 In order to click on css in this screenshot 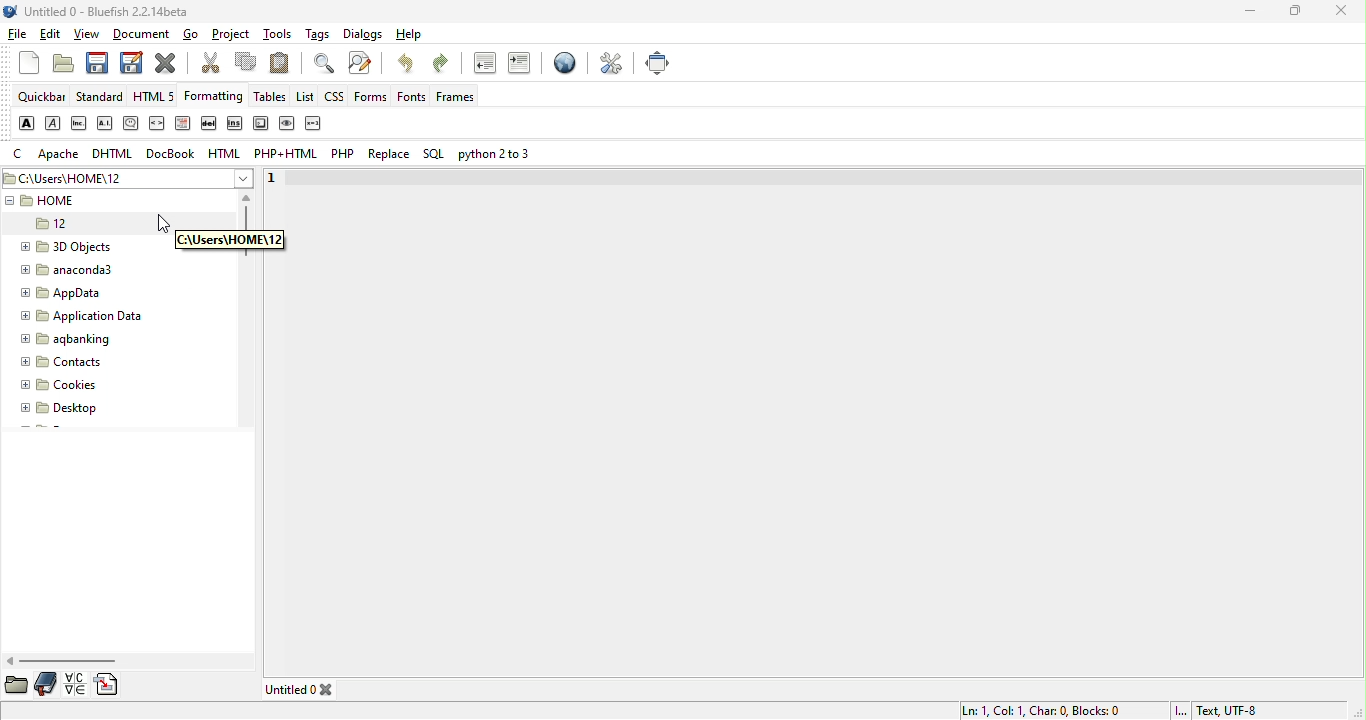, I will do `click(336, 97)`.